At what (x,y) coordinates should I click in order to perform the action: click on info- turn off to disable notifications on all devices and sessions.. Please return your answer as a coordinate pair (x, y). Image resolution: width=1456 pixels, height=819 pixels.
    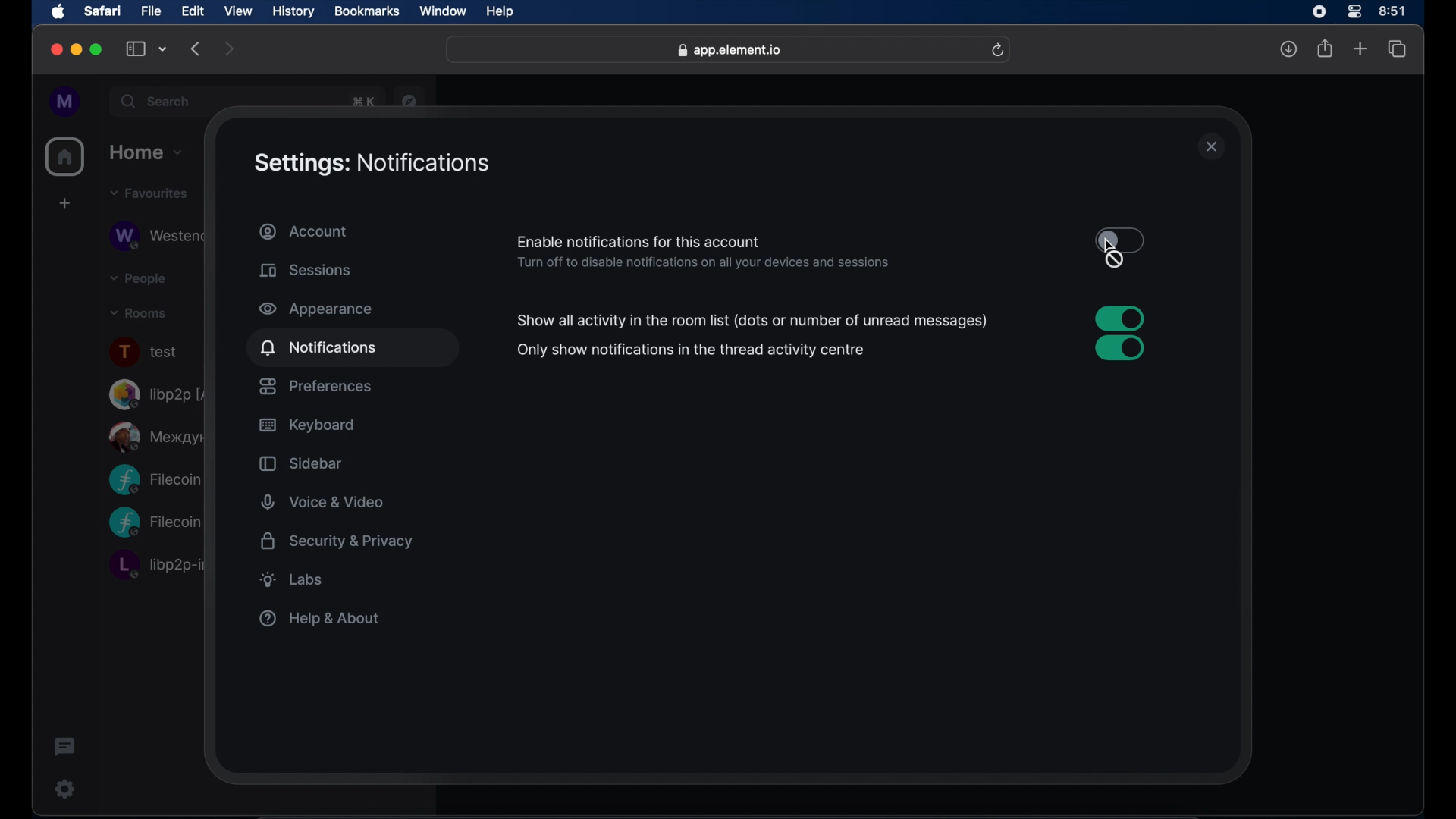
    Looking at the image, I should click on (705, 264).